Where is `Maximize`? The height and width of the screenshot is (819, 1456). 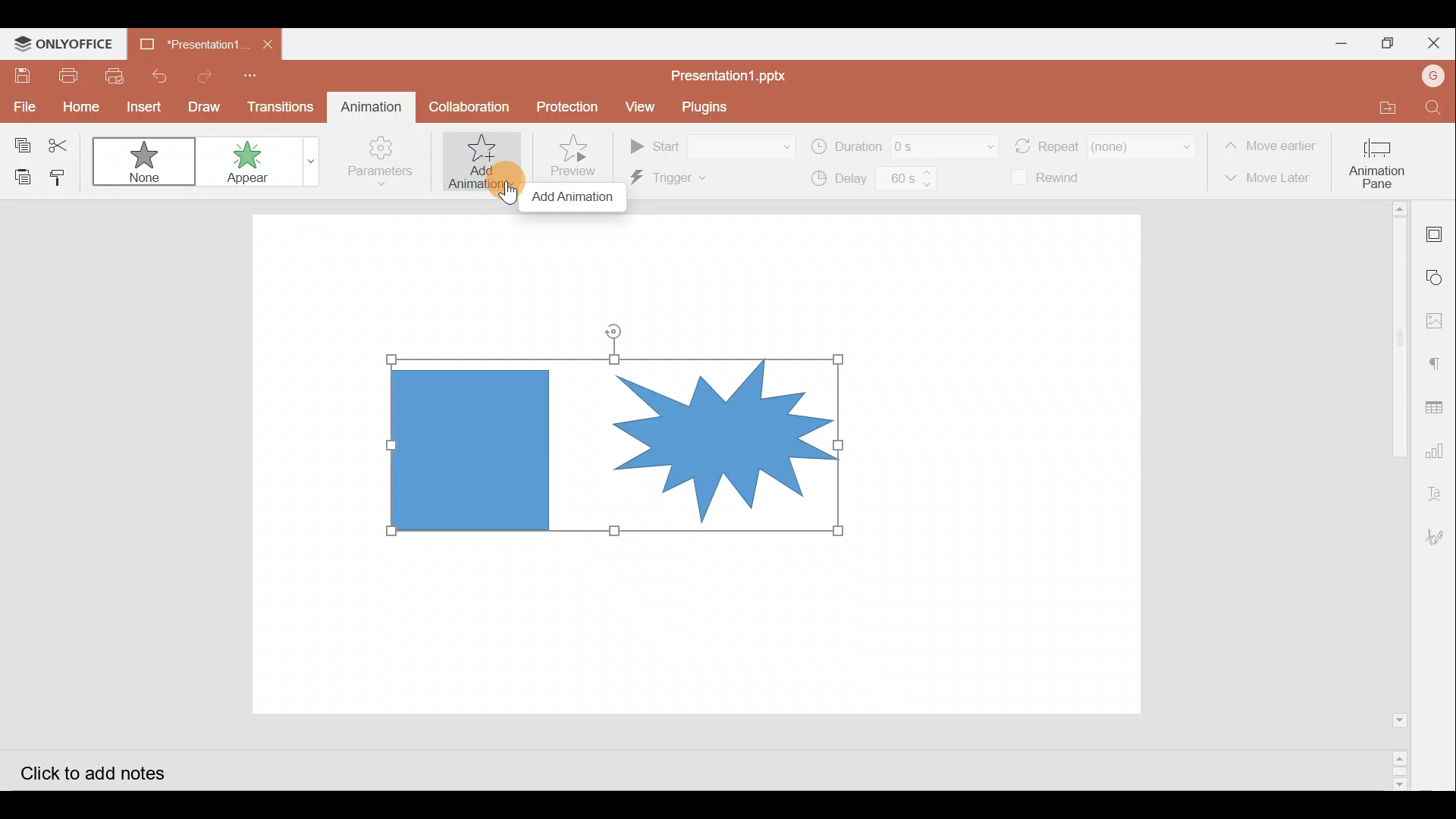 Maximize is located at coordinates (1385, 45).